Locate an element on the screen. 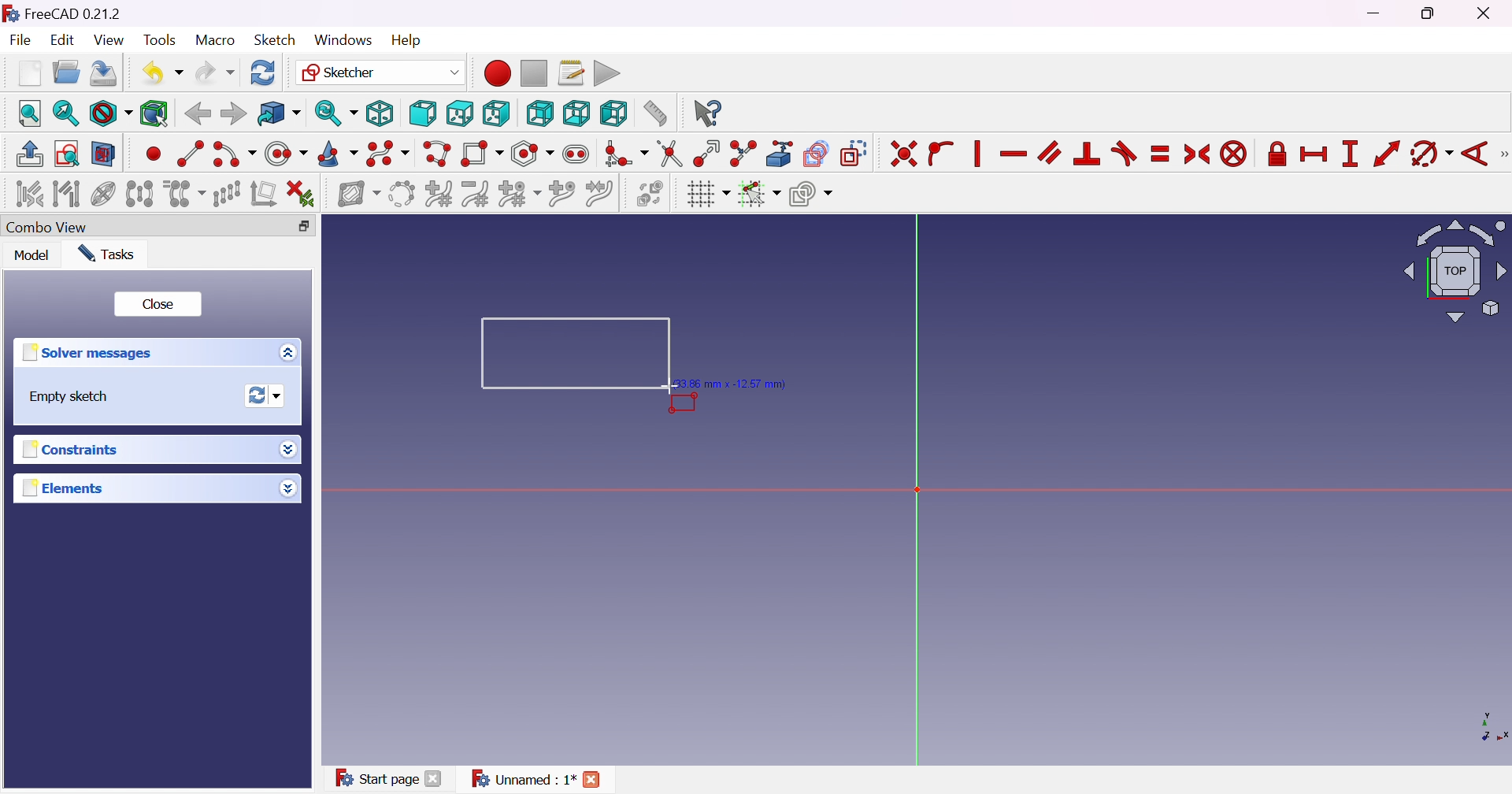 This screenshot has width=1512, height=794. Close is located at coordinates (160, 302).